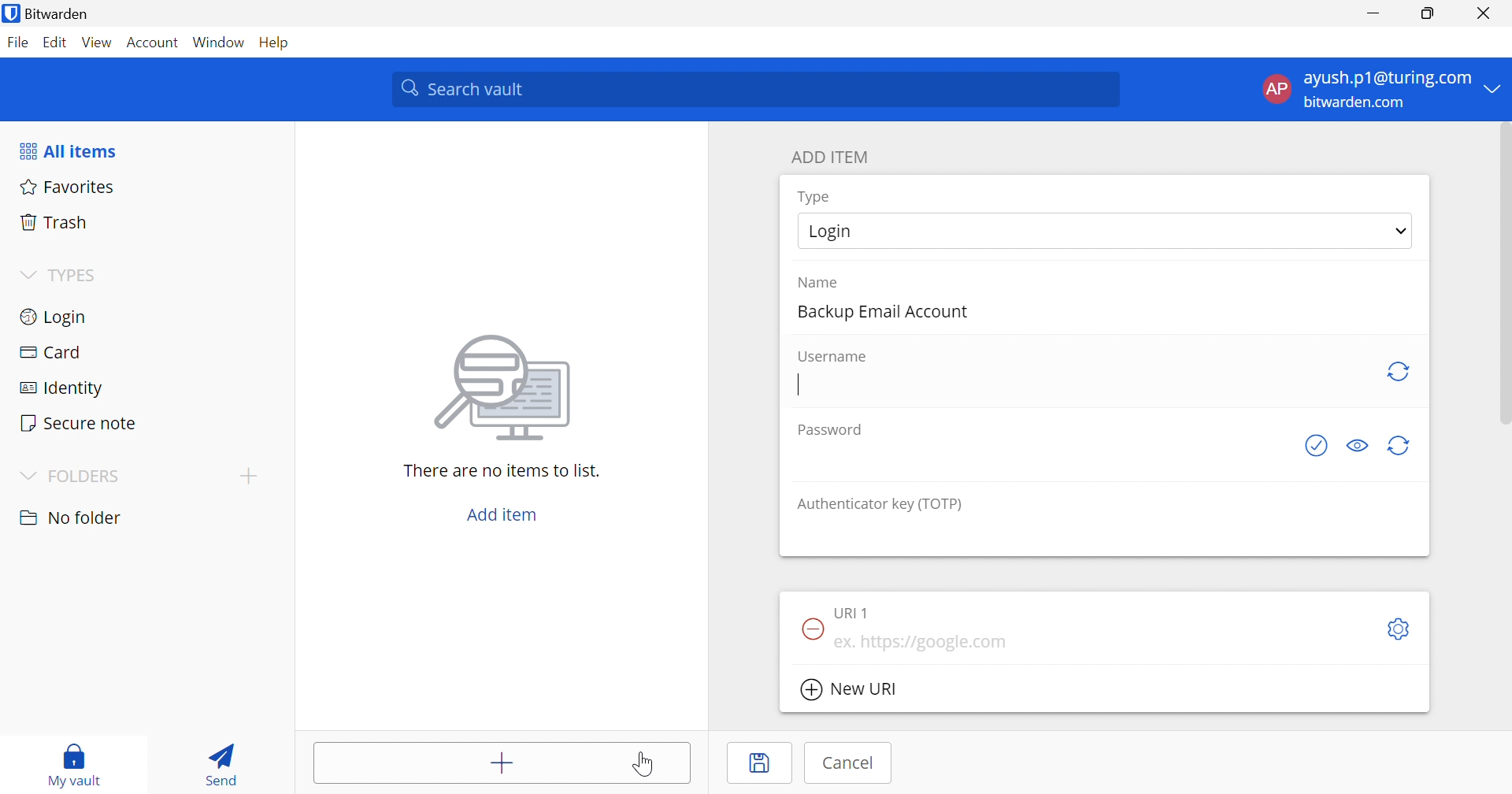 The height and width of the screenshot is (794, 1512). What do you see at coordinates (1358, 103) in the screenshot?
I see `bitwarden.com` at bounding box center [1358, 103].